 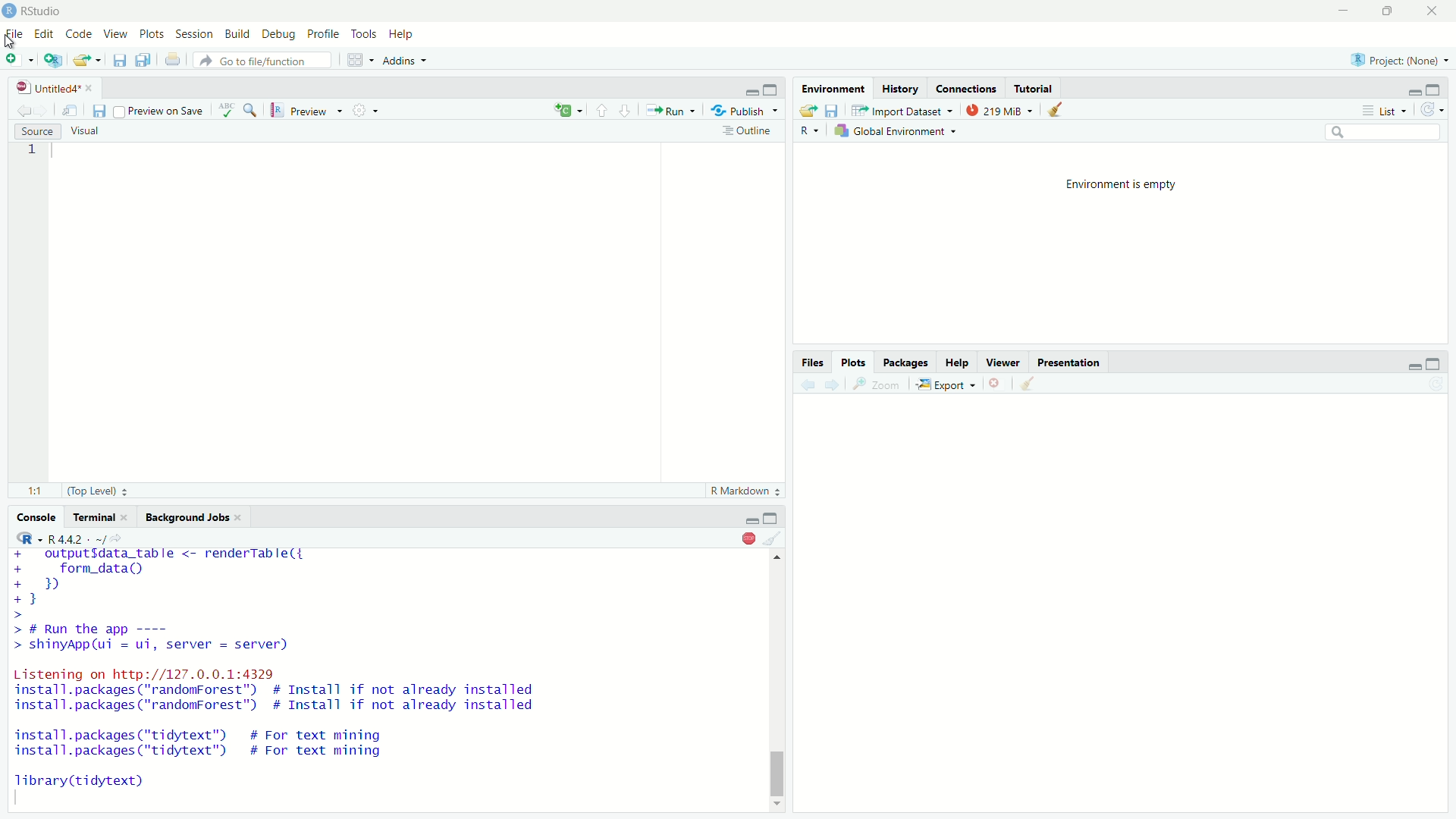 What do you see at coordinates (322, 35) in the screenshot?
I see `Profile` at bounding box center [322, 35].